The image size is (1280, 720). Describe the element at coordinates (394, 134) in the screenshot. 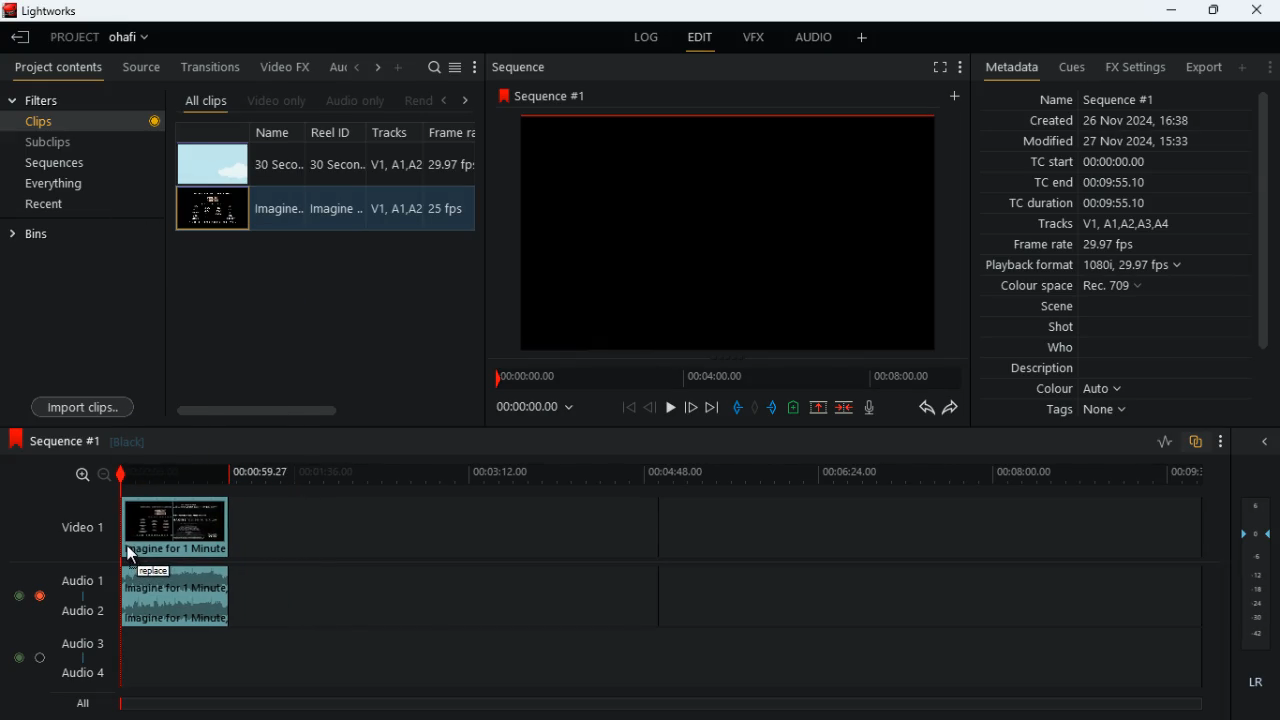

I see `tracks` at that location.